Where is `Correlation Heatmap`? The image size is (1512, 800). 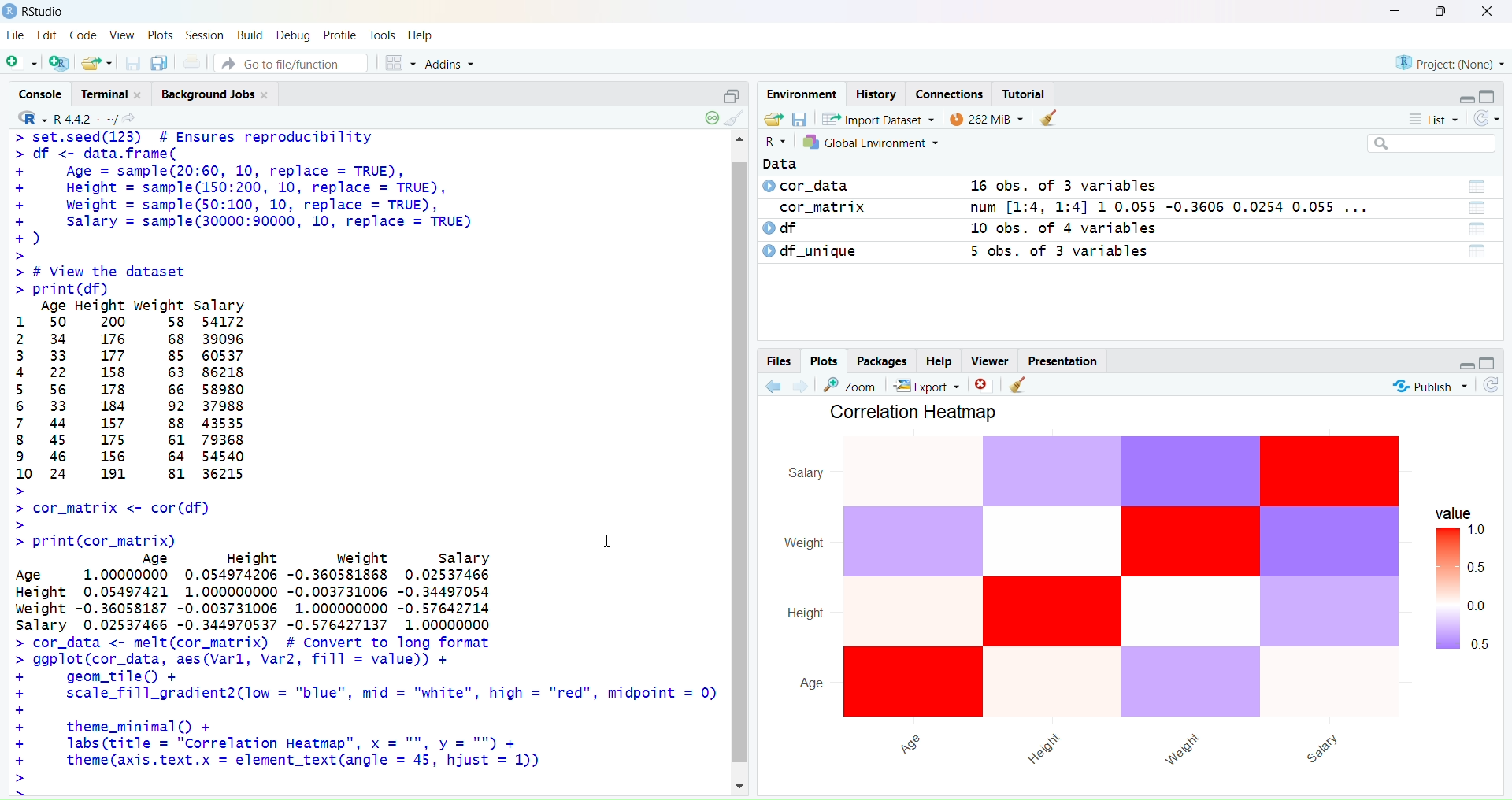 Correlation Heatmap is located at coordinates (920, 412).